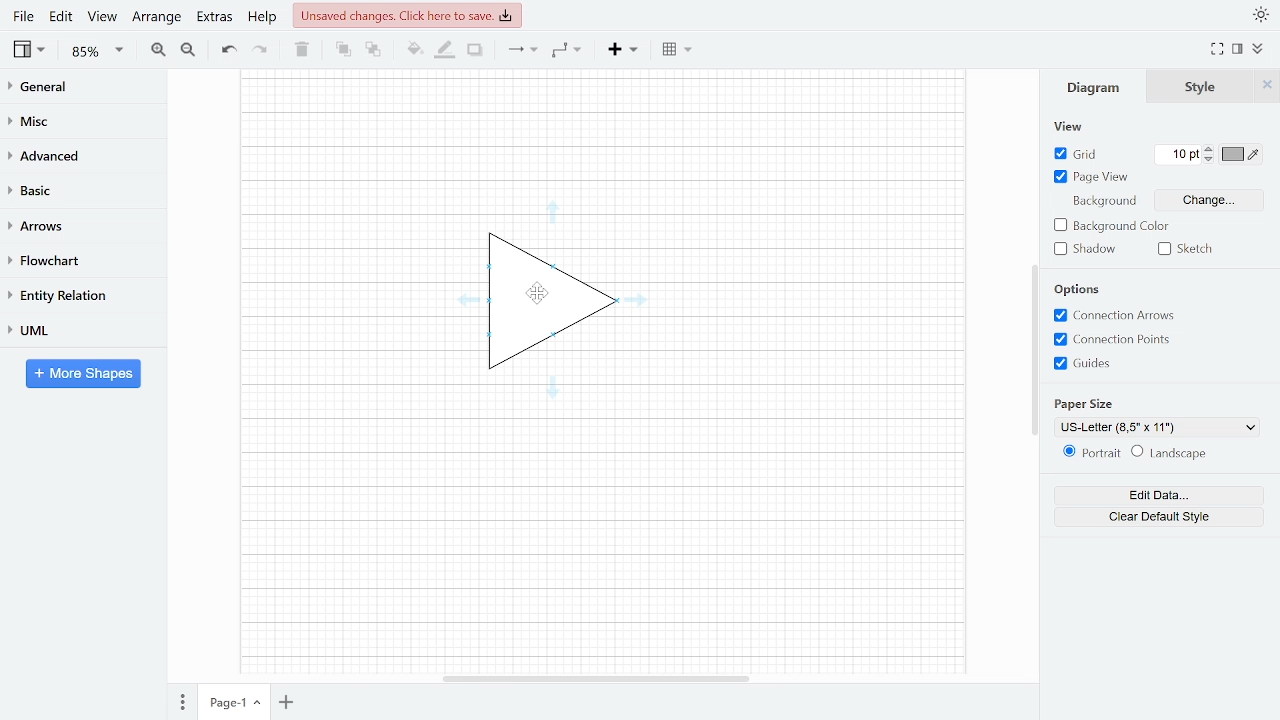 This screenshot has height=720, width=1280. Describe the element at coordinates (1100, 178) in the screenshot. I see `Page View` at that location.